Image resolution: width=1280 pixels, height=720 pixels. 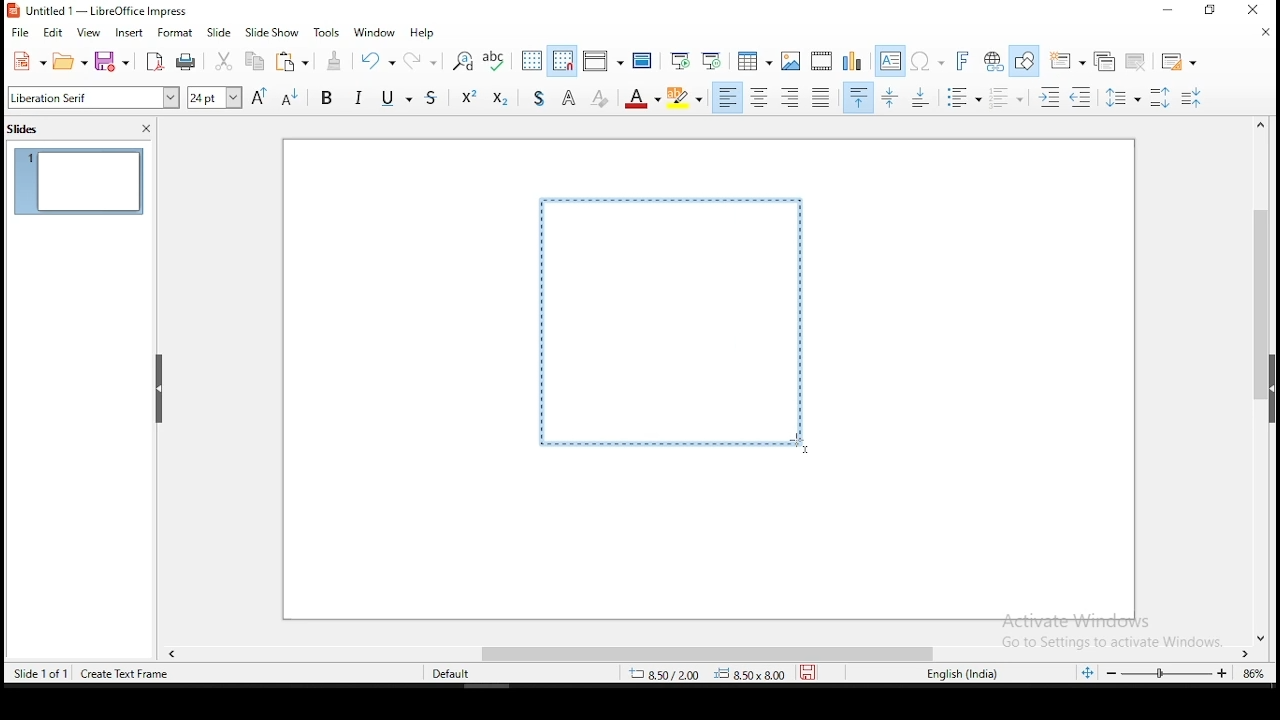 I want to click on export as pdf, so click(x=156, y=62).